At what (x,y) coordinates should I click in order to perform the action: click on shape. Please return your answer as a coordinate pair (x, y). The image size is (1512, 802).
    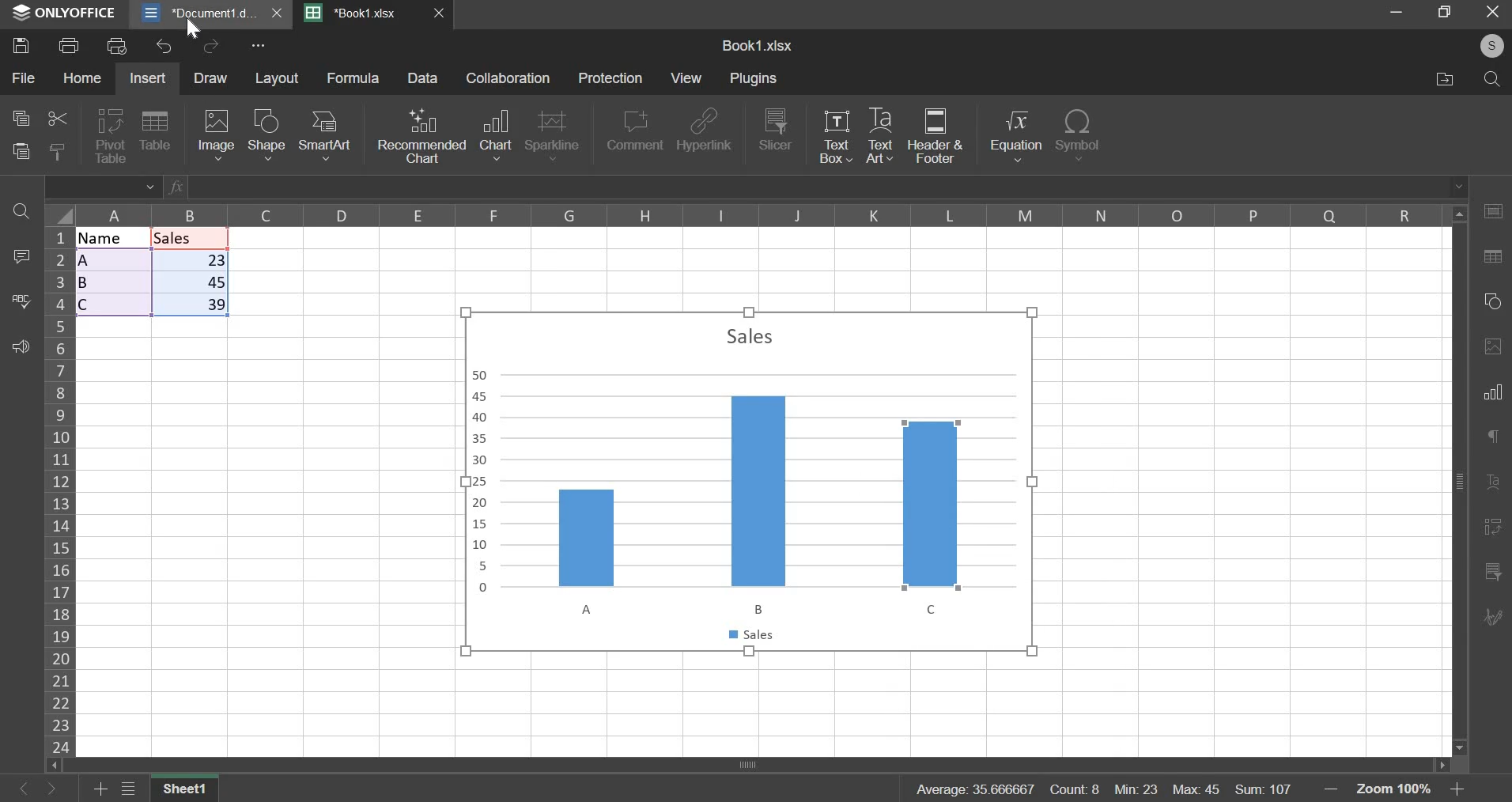
    Looking at the image, I should click on (267, 135).